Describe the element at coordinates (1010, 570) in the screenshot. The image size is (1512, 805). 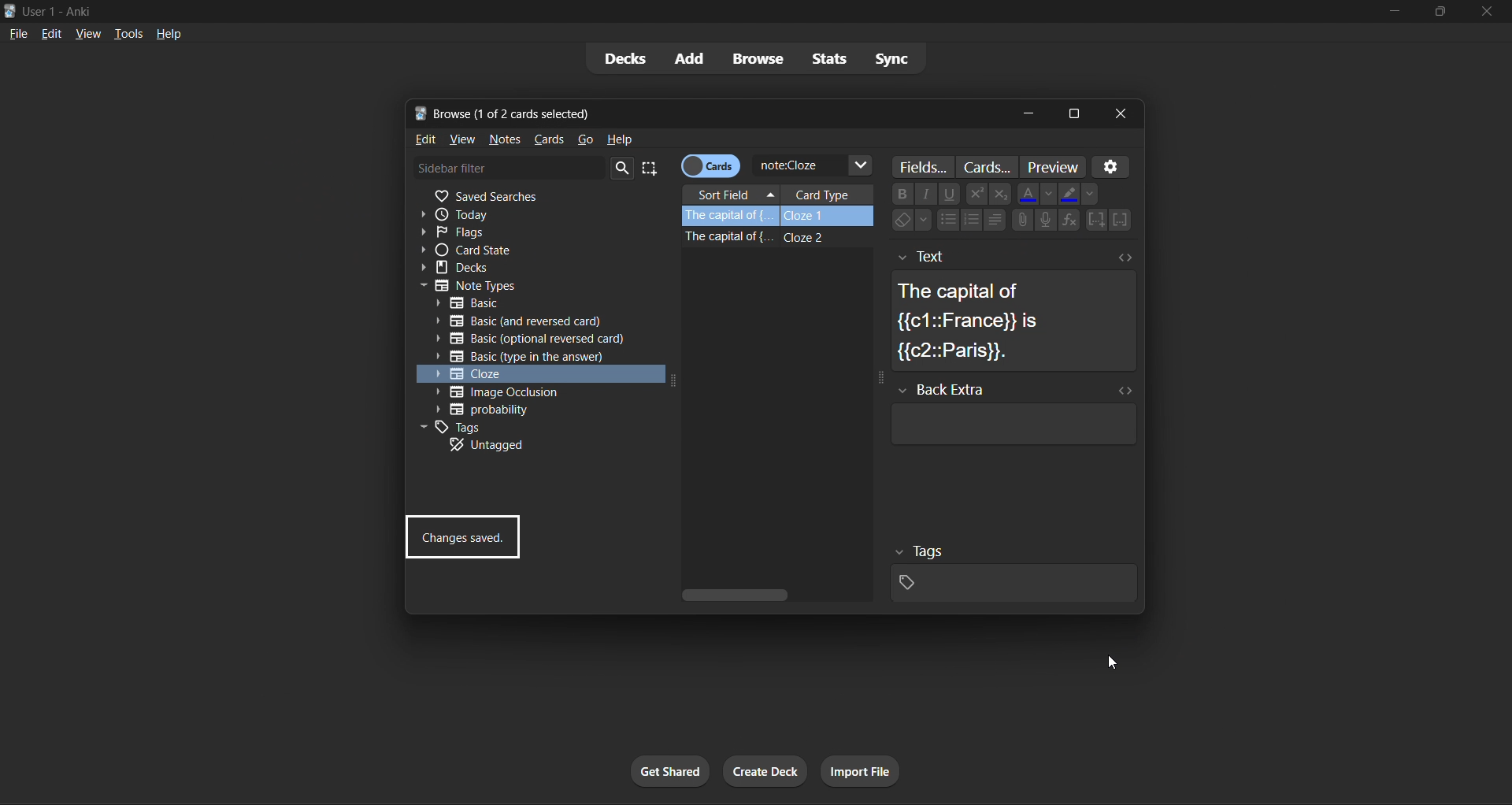
I see `selected cards tags` at that location.